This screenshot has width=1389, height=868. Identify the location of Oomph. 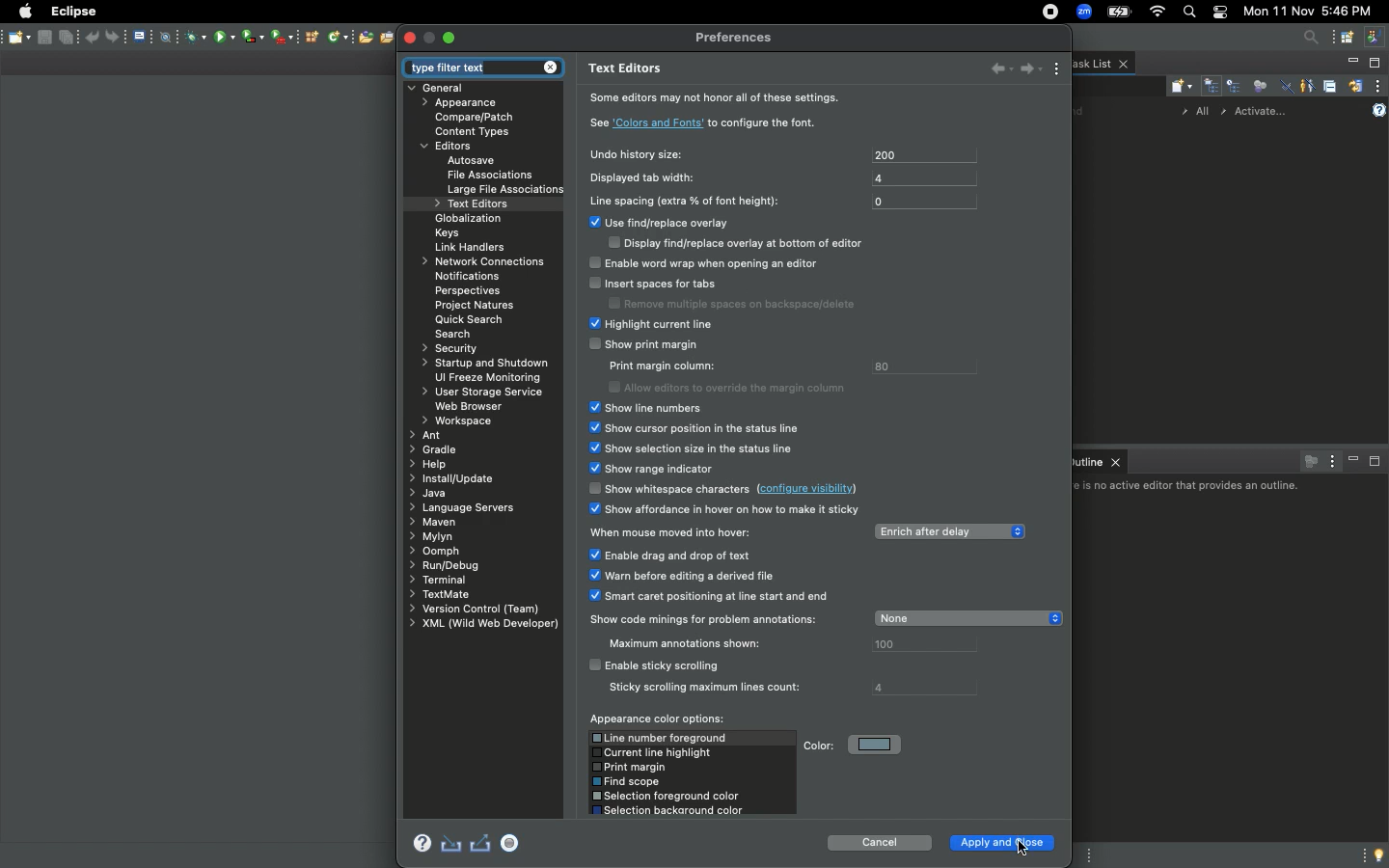
(438, 550).